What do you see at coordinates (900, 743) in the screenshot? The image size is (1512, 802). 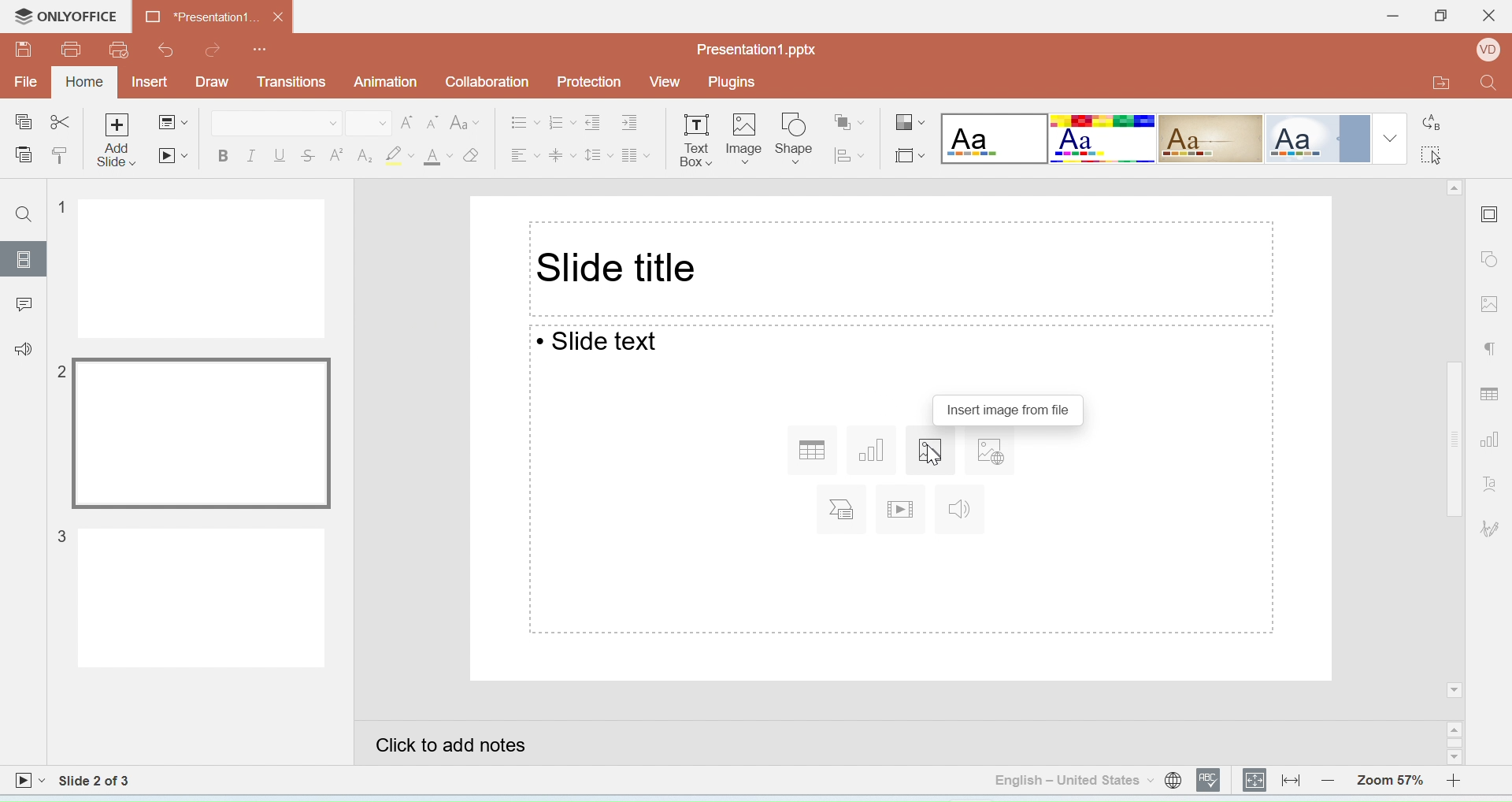 I see `Click to add notes` at bounding box center [900, 743].